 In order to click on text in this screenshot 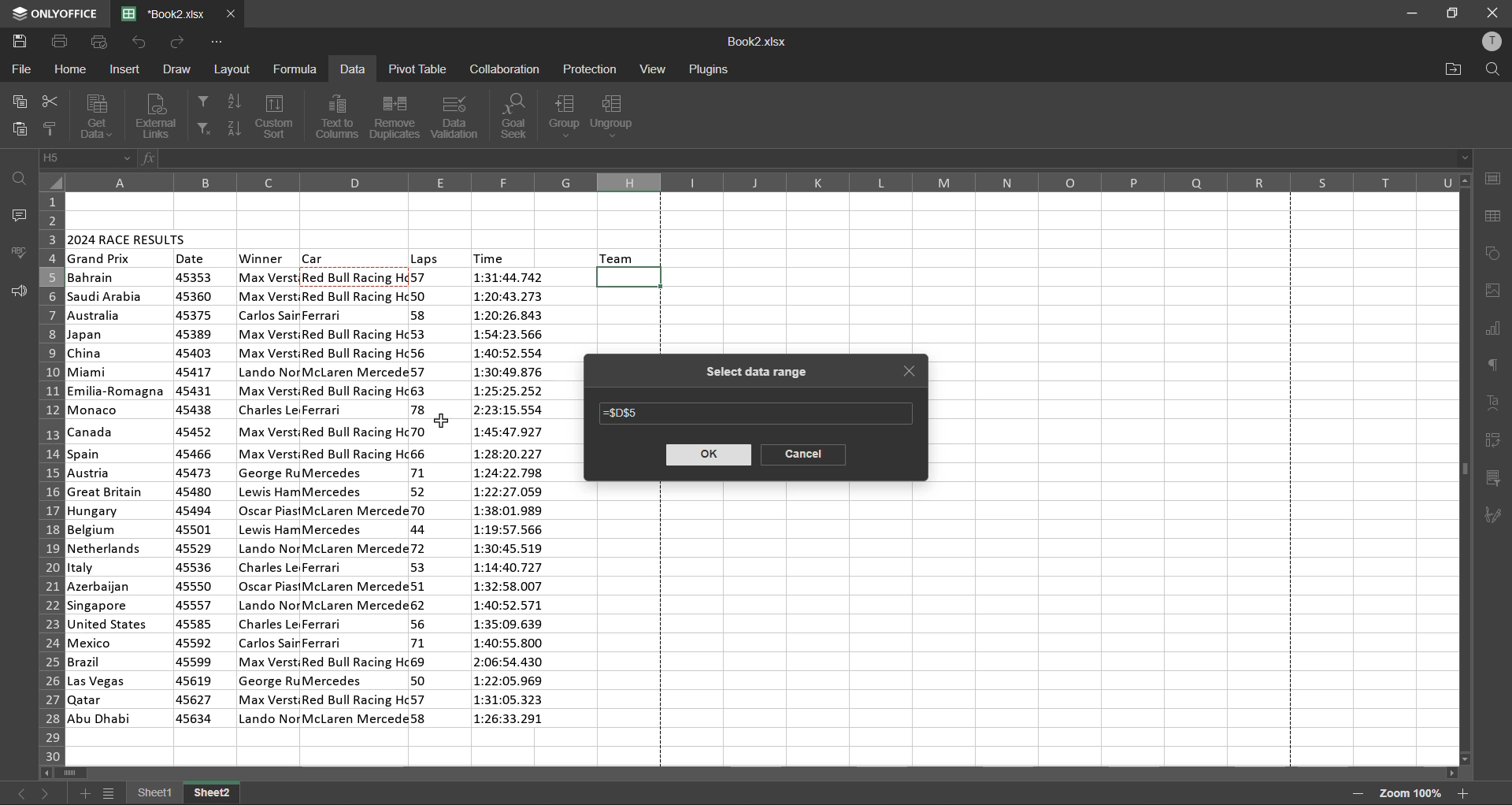, I will do `click(1495, 403)`.